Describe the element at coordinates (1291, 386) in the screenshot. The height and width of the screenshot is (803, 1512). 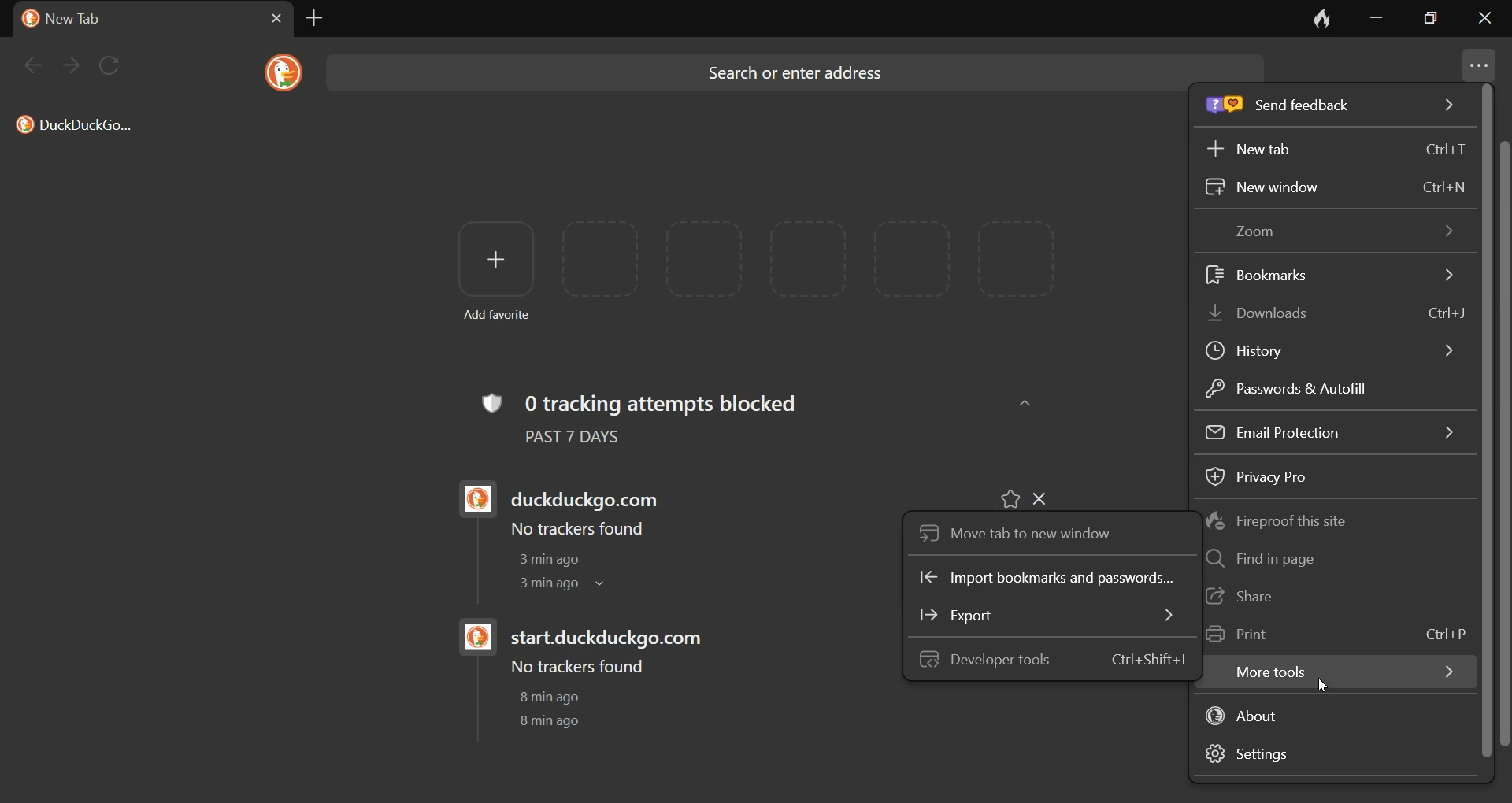
I see `Passwords & Autofill` at that location.